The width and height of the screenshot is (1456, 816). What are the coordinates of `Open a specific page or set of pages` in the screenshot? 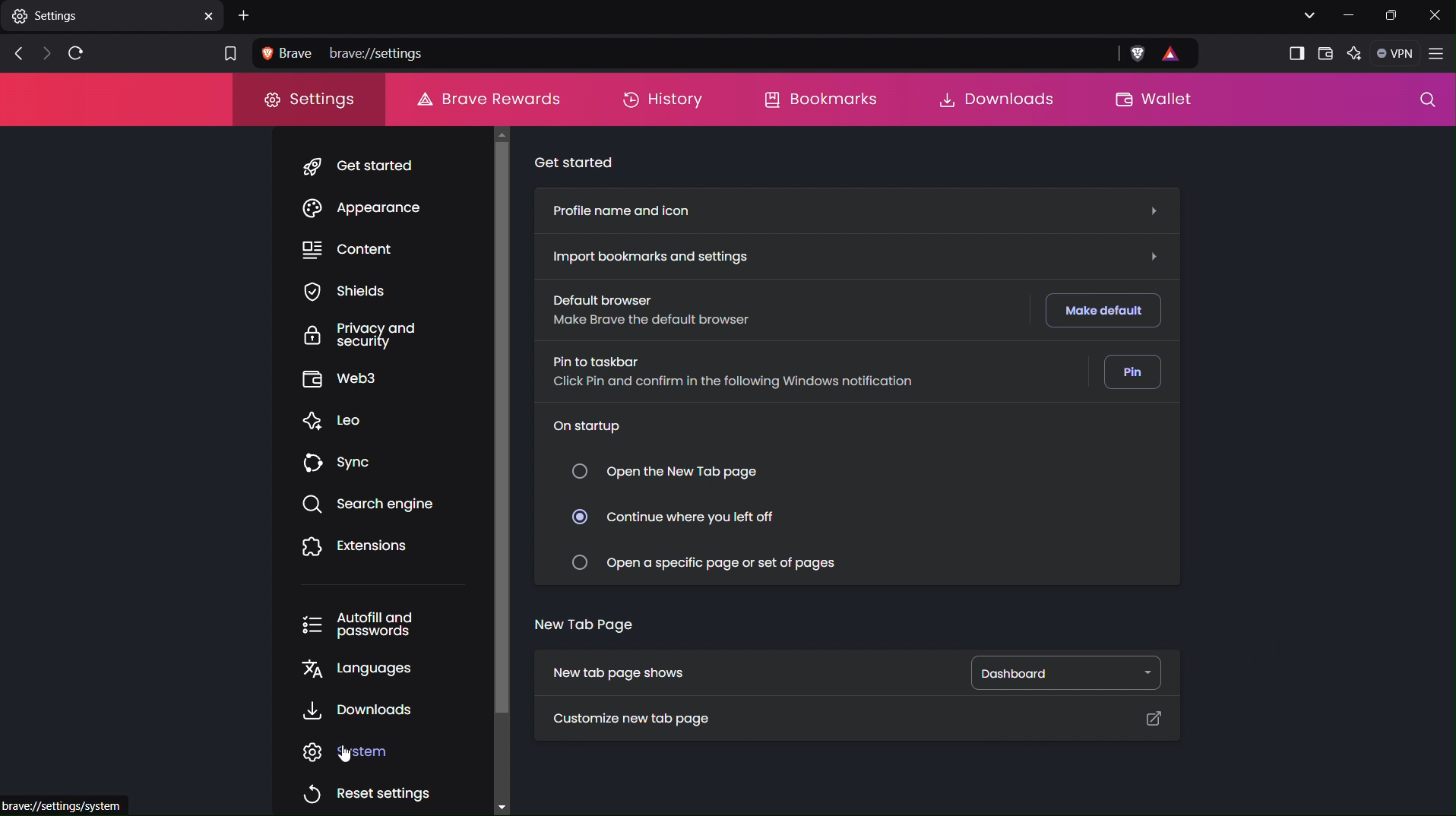 It's located at (707, 560).